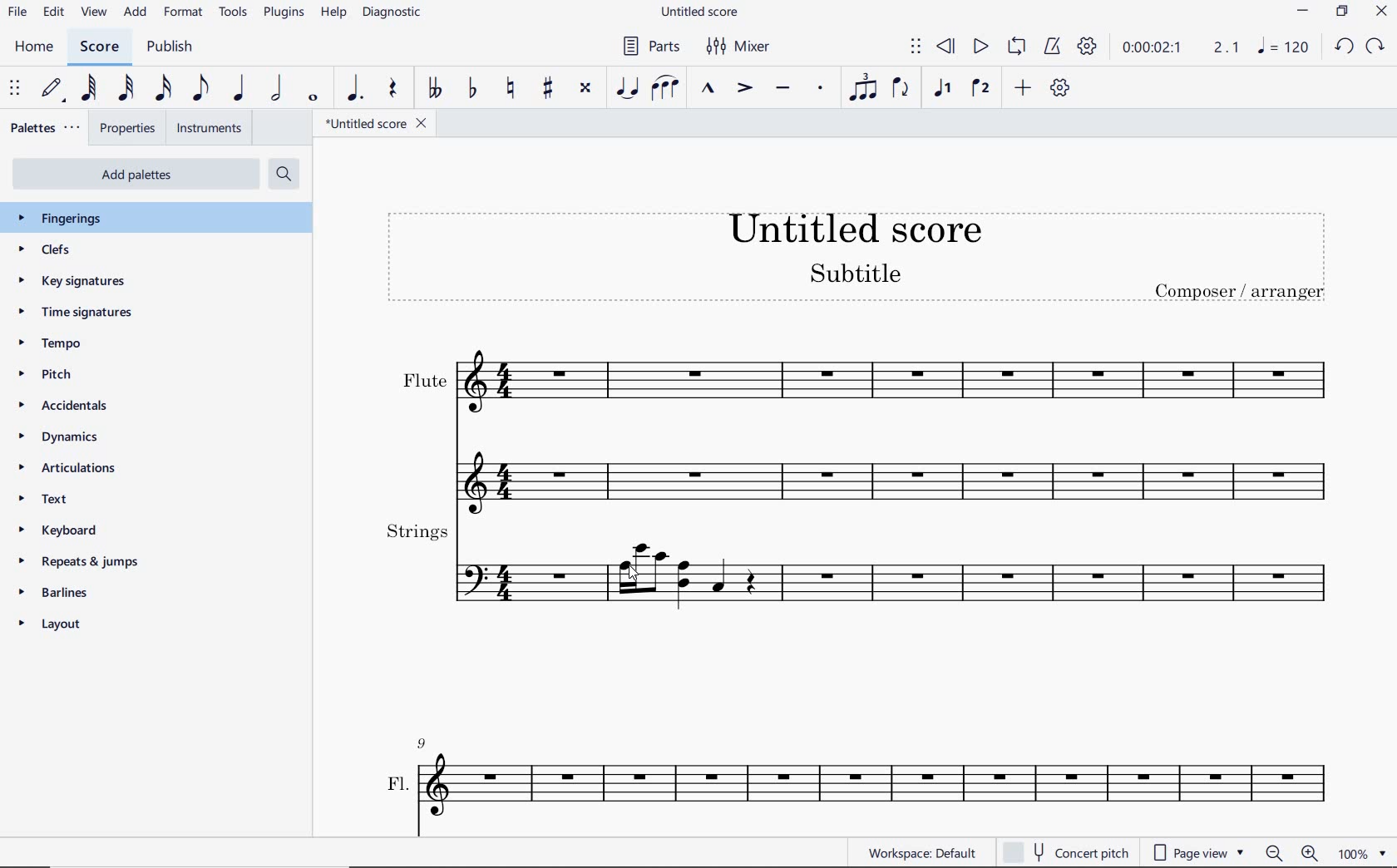 The width and height of the screenshot is (1397, 868). Describe the element at coordinates (186, 13) in the screenshot. I see `format` at that location.